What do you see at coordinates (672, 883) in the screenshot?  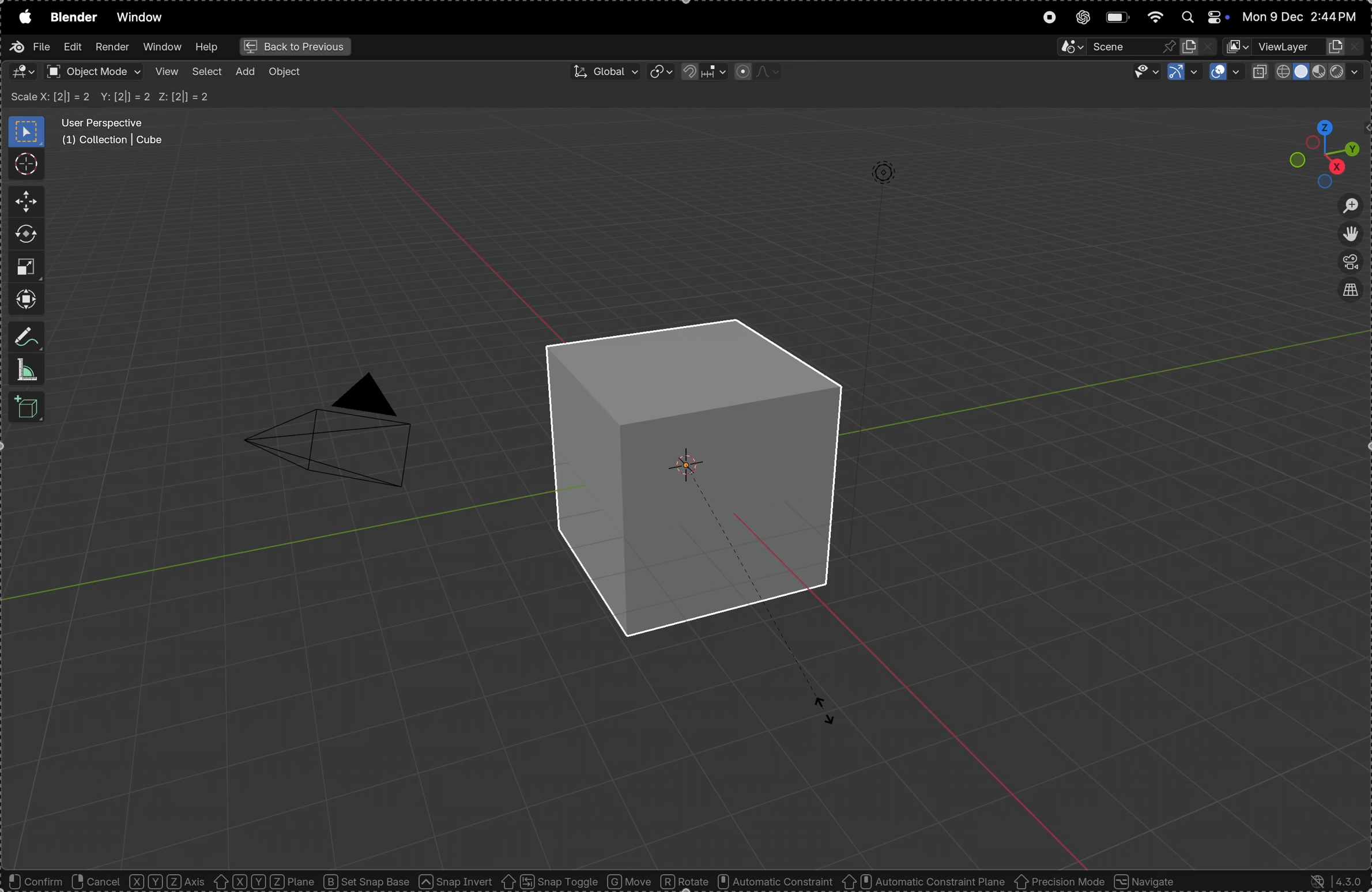 I see `object` at bounding box center [672, 883].